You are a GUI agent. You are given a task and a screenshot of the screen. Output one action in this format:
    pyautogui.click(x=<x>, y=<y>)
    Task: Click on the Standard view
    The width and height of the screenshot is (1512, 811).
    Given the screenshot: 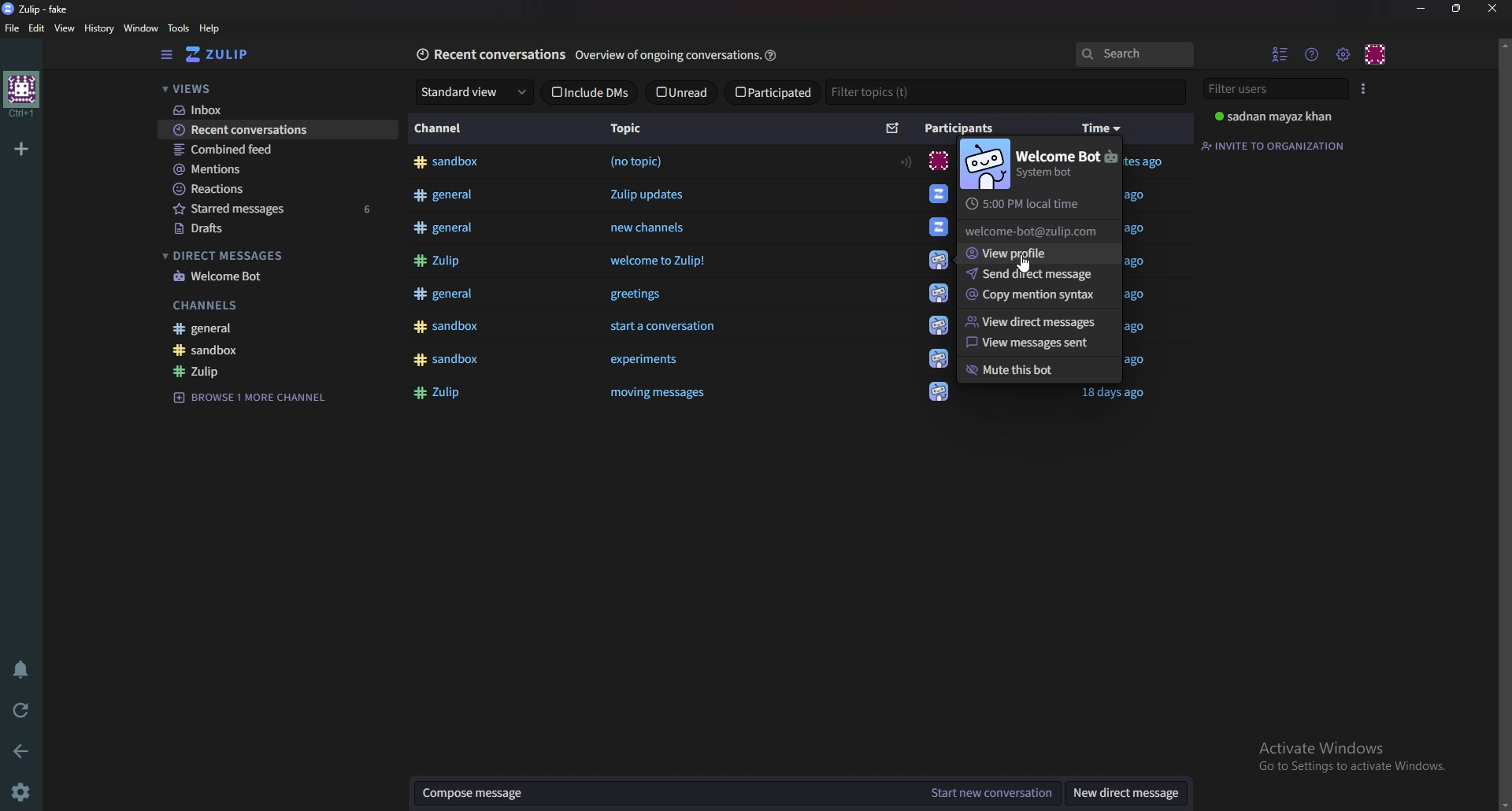 What is the action you would take?
    pyautogui.click(x=474, y=91)
    